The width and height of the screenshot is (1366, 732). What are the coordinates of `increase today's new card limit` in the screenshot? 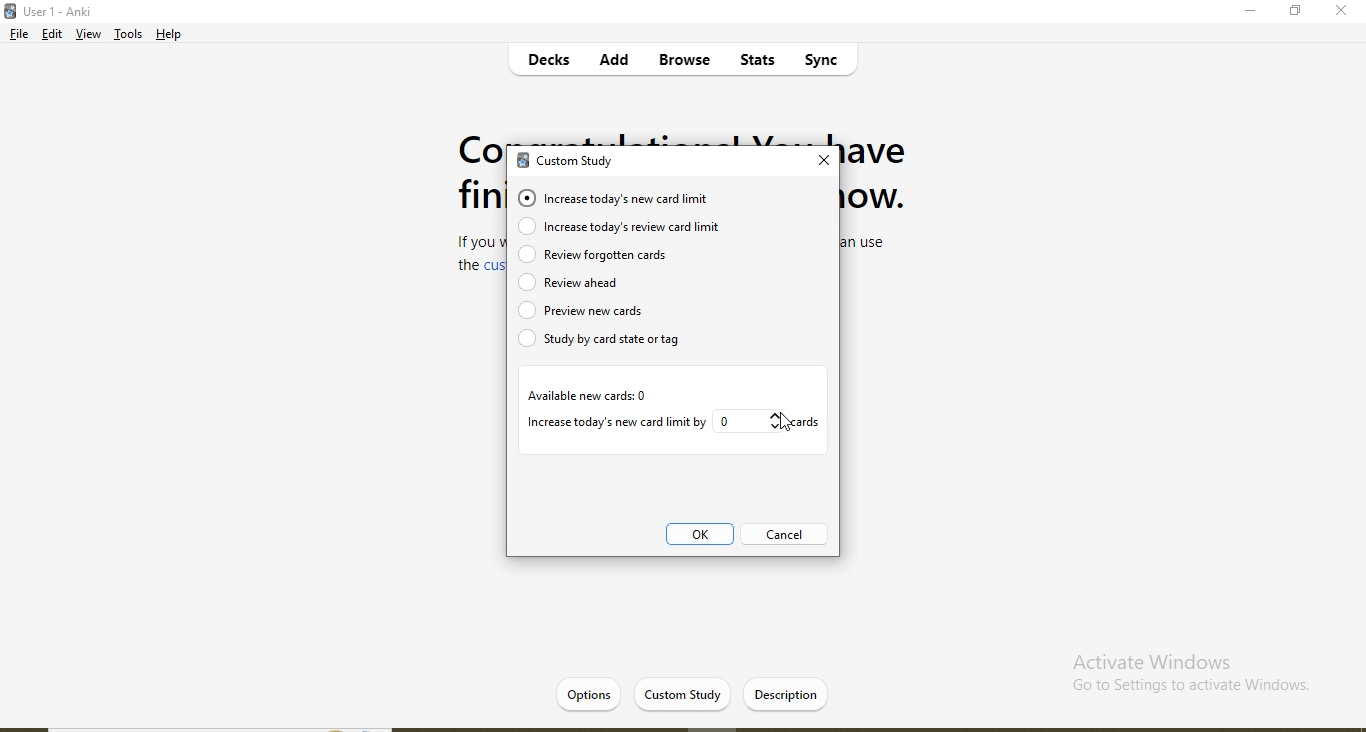 It's located at (622, 199).